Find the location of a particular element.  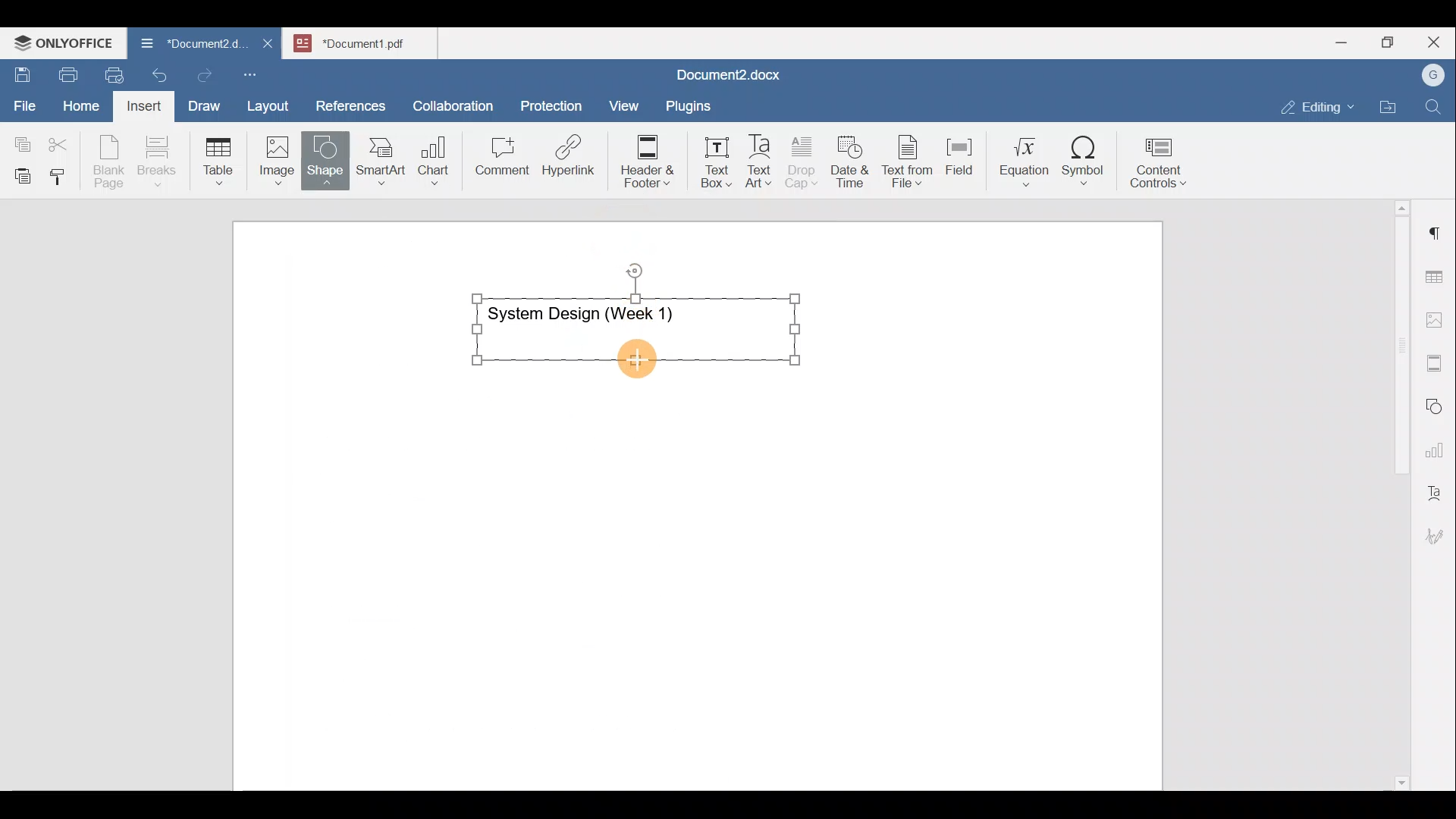

Paragraph settings is located at coordinates (1436, 227).